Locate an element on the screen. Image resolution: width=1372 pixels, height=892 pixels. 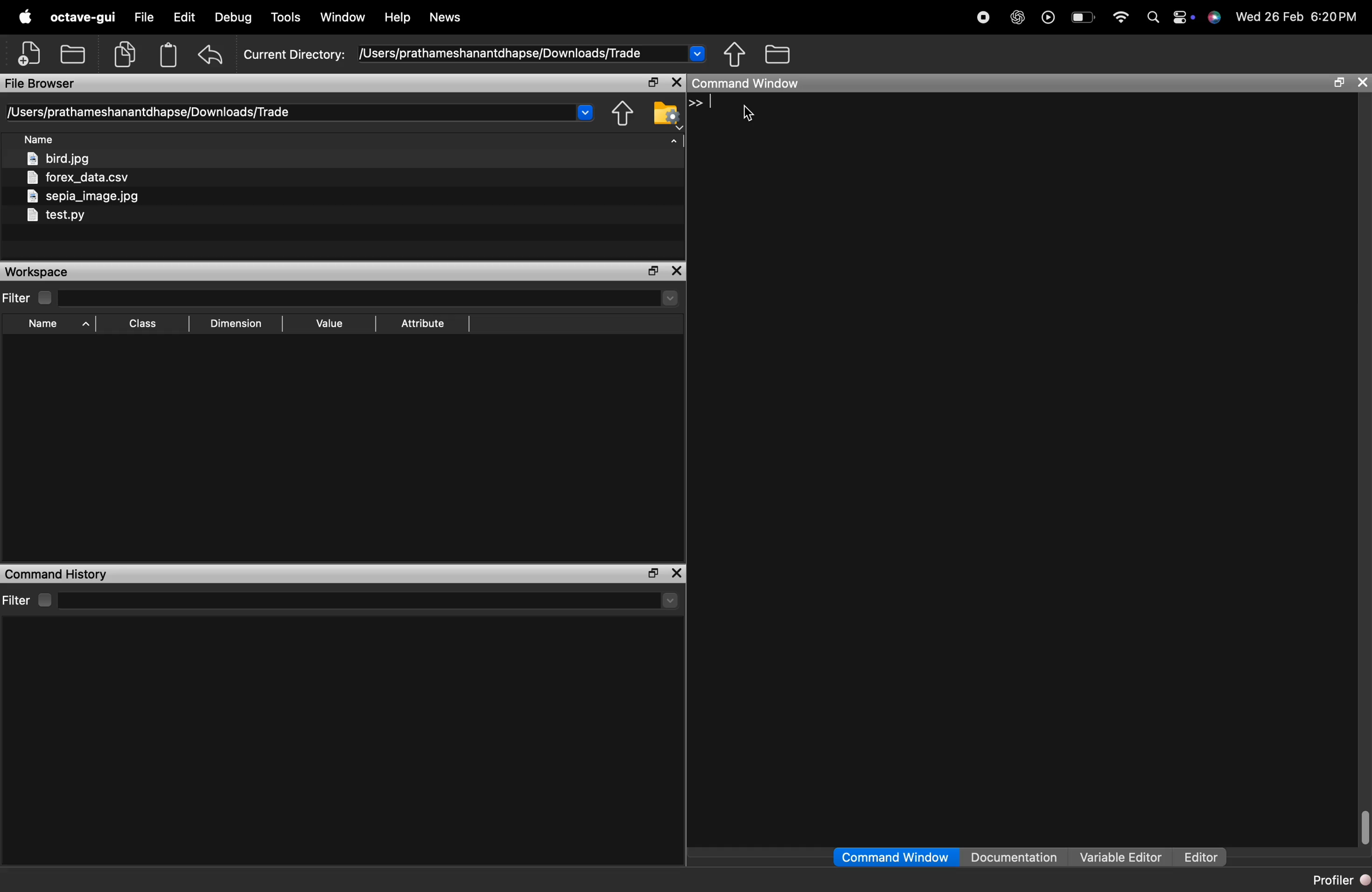
Go back is located at coordinates (735, 54).